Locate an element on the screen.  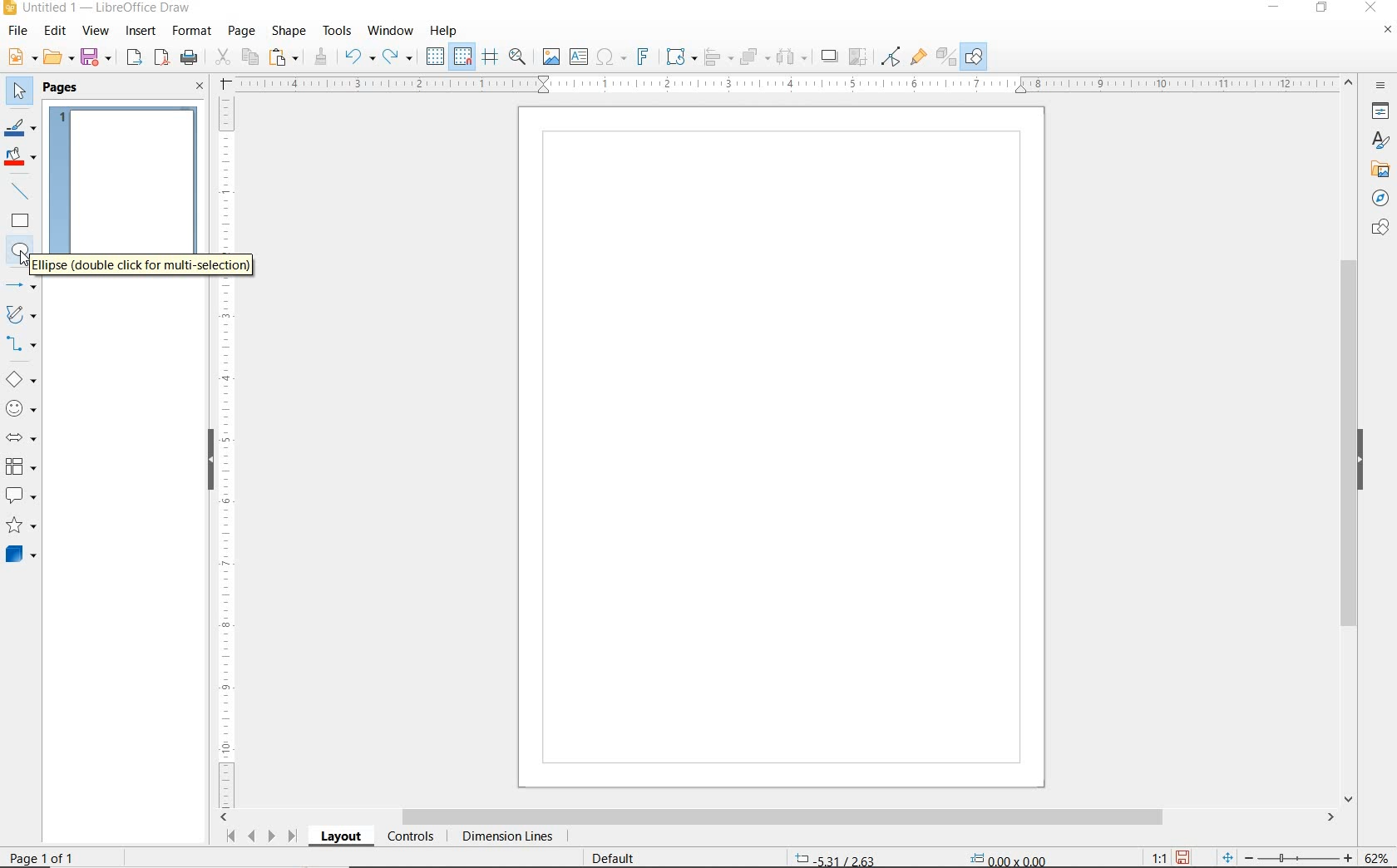
sketch board is located at coordinates (782, 447).